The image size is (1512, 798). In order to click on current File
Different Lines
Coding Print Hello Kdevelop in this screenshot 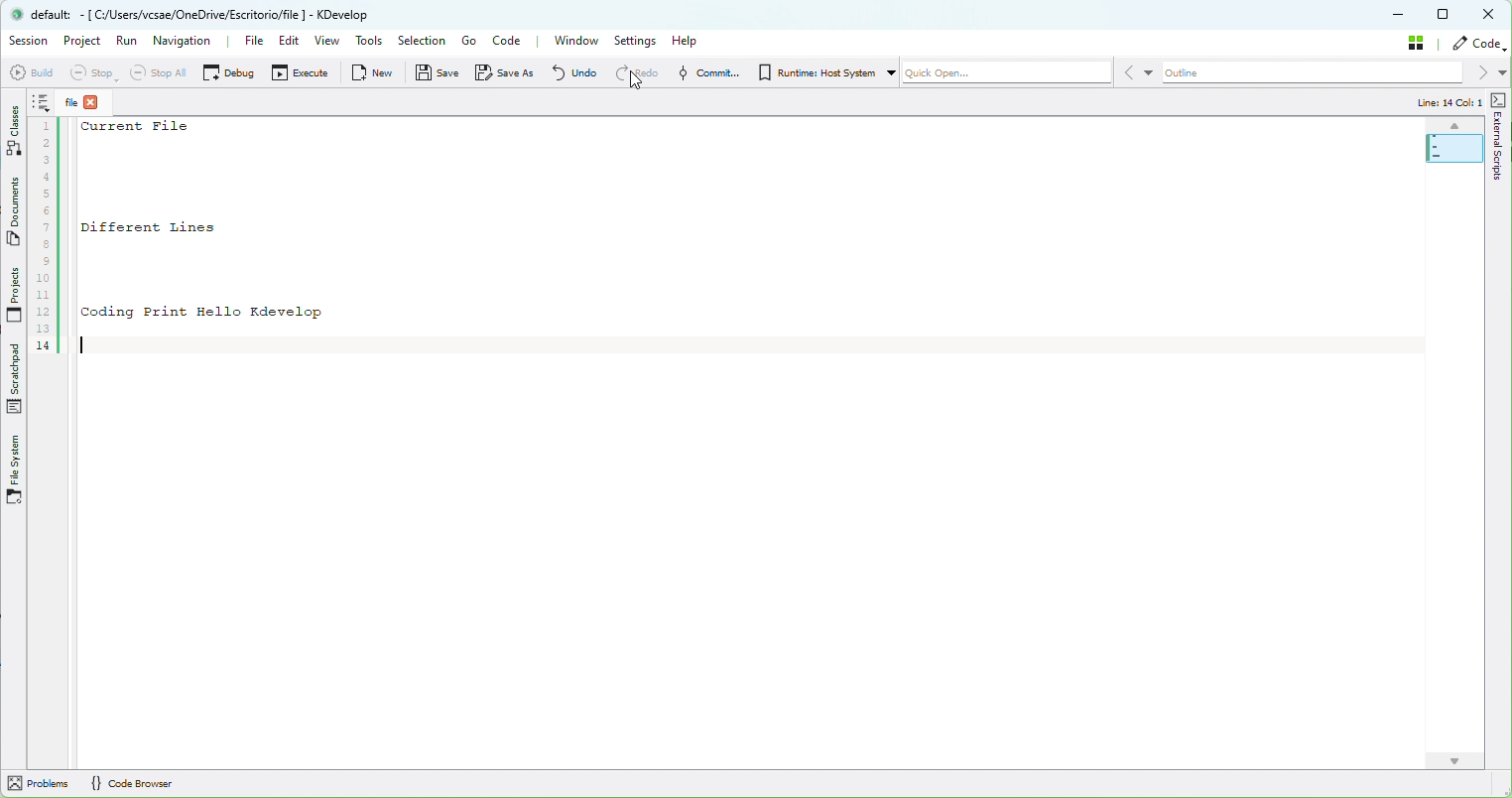, I will do `click(249, 221)`.